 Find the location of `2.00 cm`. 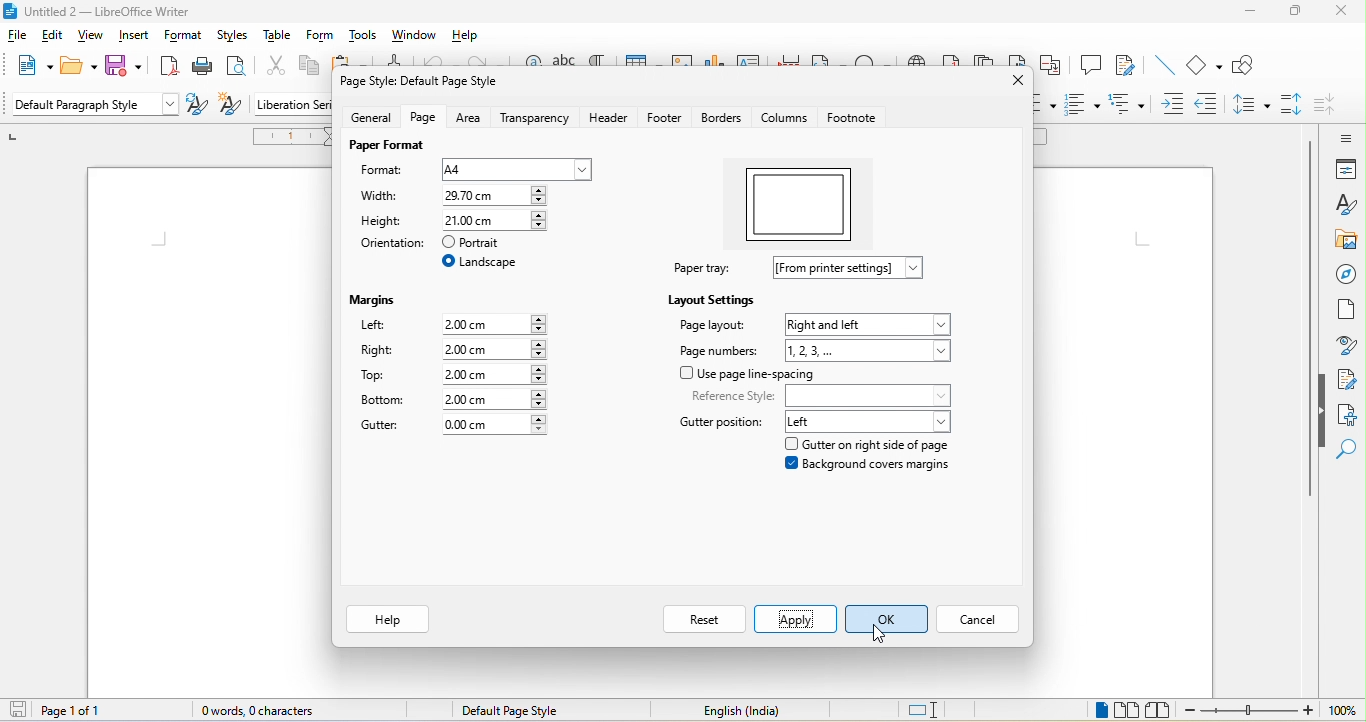

2.00 cm is located at coordinates (495, 372).